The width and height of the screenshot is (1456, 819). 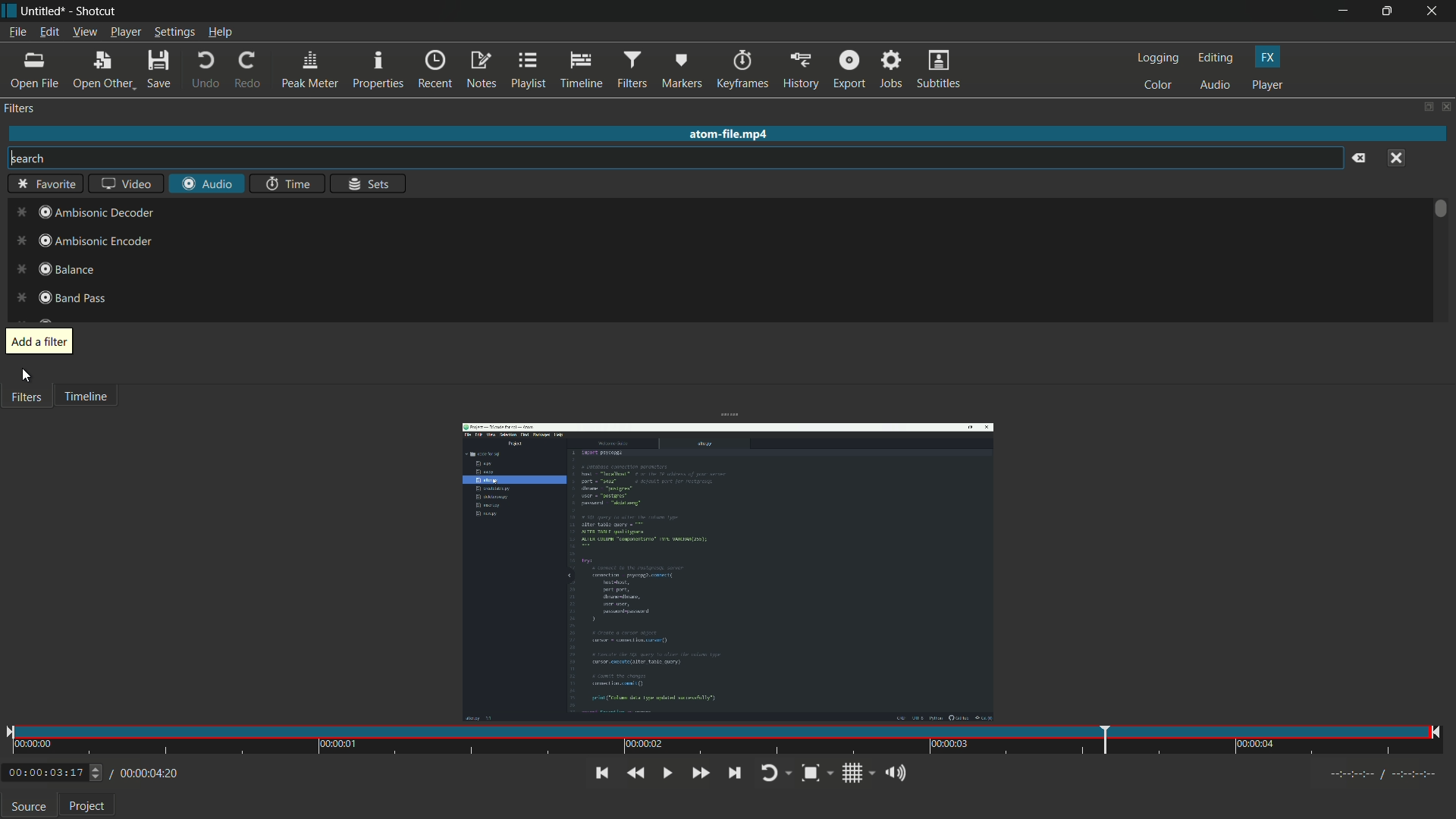 What do you see at coordinates (53, 770) in the screenshot?
I see `0:00:03:17 (current time)` at bounding box center [53, 770].